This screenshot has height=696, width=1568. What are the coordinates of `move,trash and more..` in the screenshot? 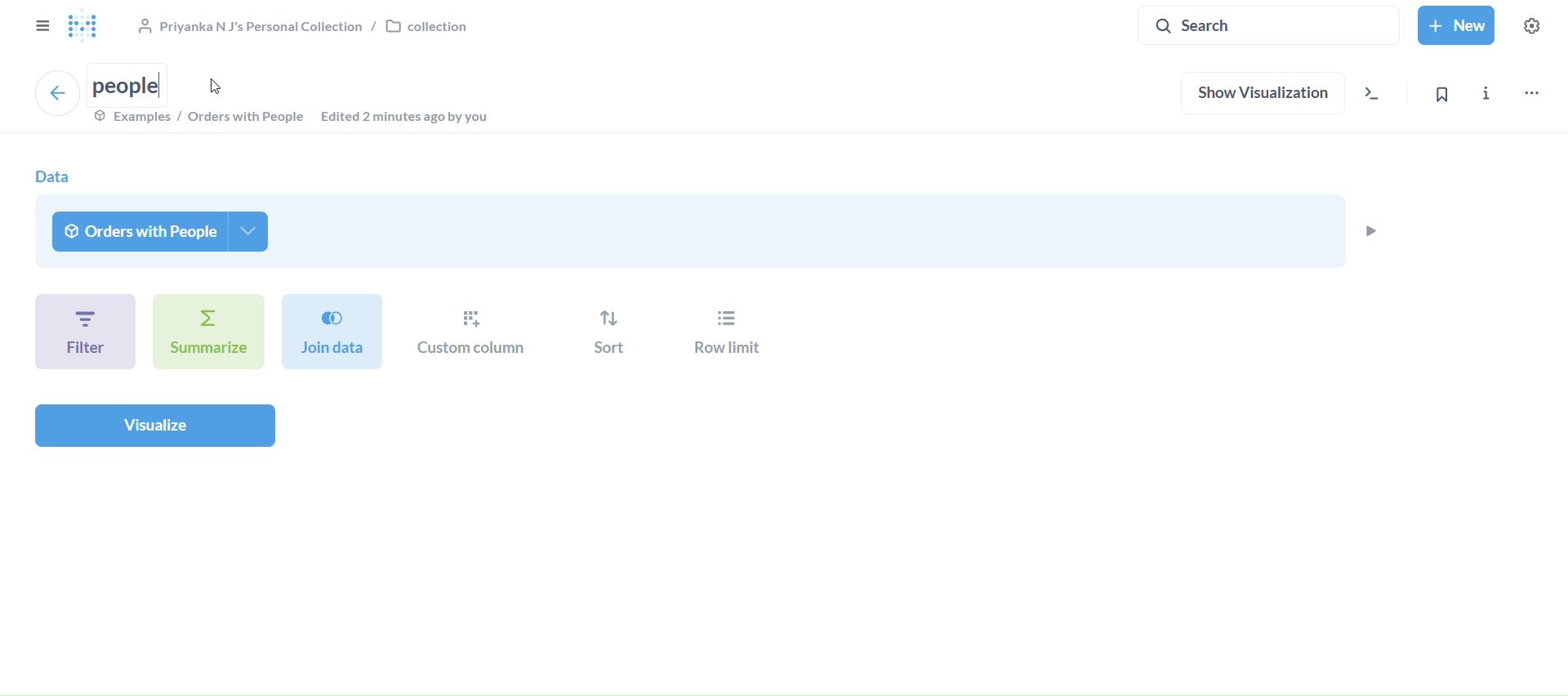 It's located at (1531, 94).